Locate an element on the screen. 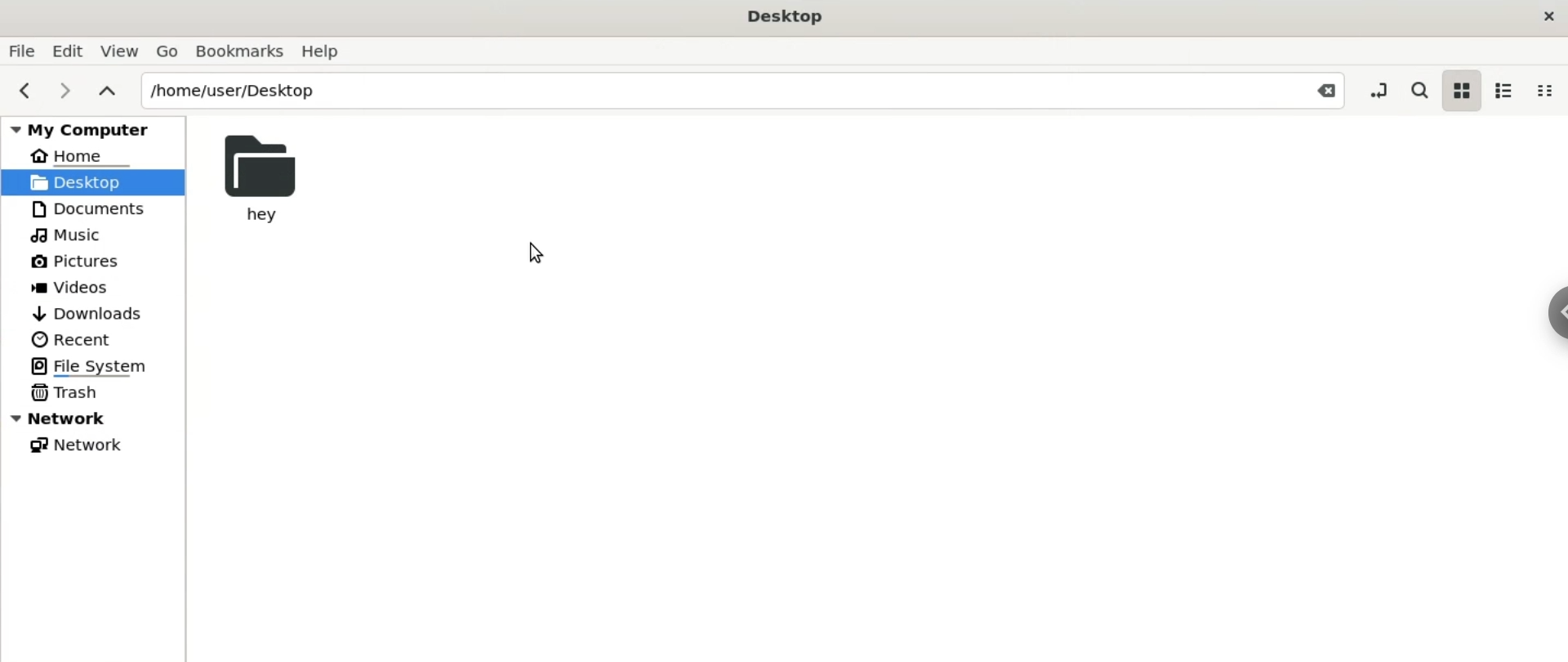  go  is located at coordinates (168, 49).